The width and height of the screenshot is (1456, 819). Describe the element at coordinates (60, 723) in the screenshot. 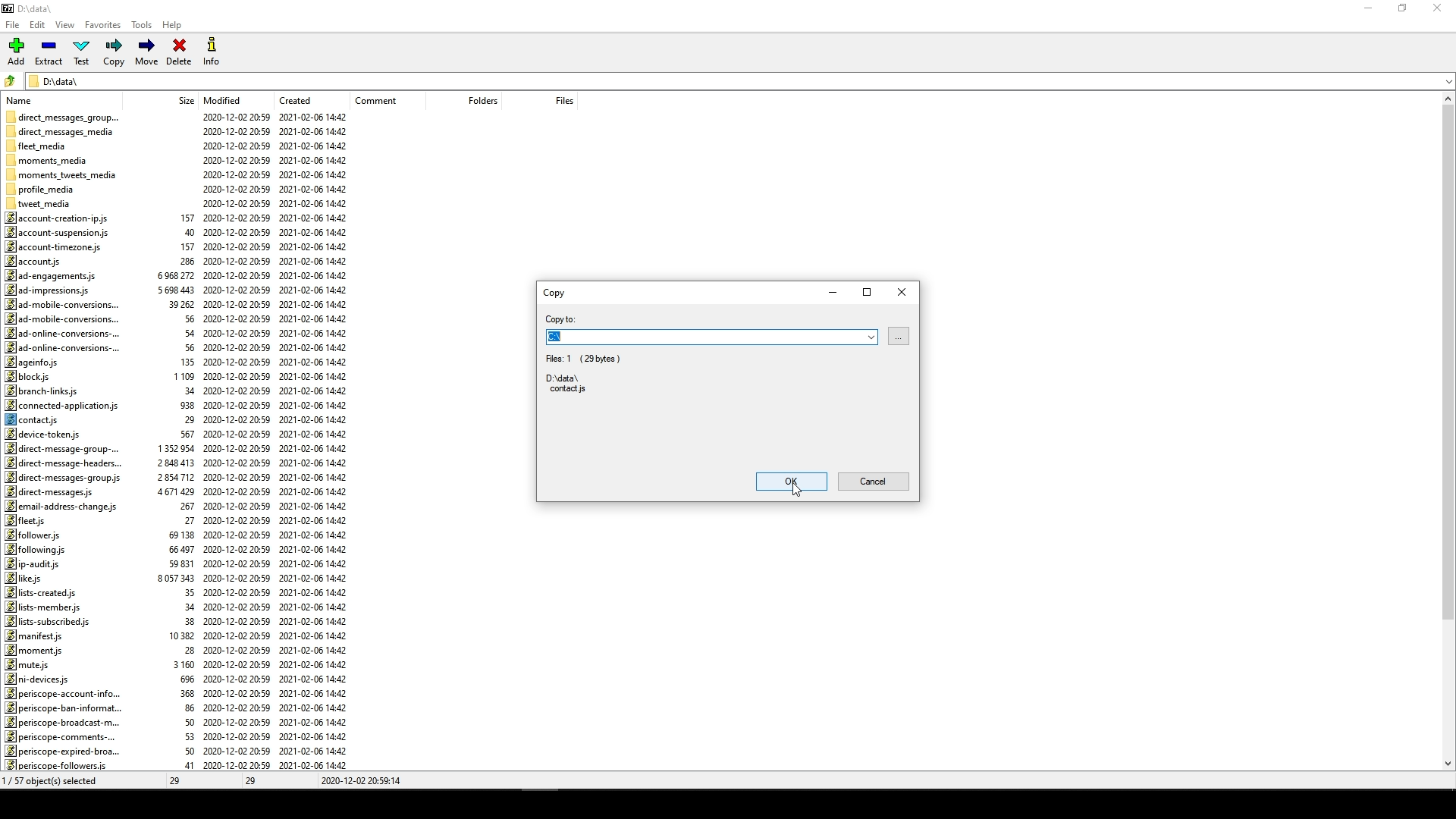

I see `periscope-broadcast-m` at that location.